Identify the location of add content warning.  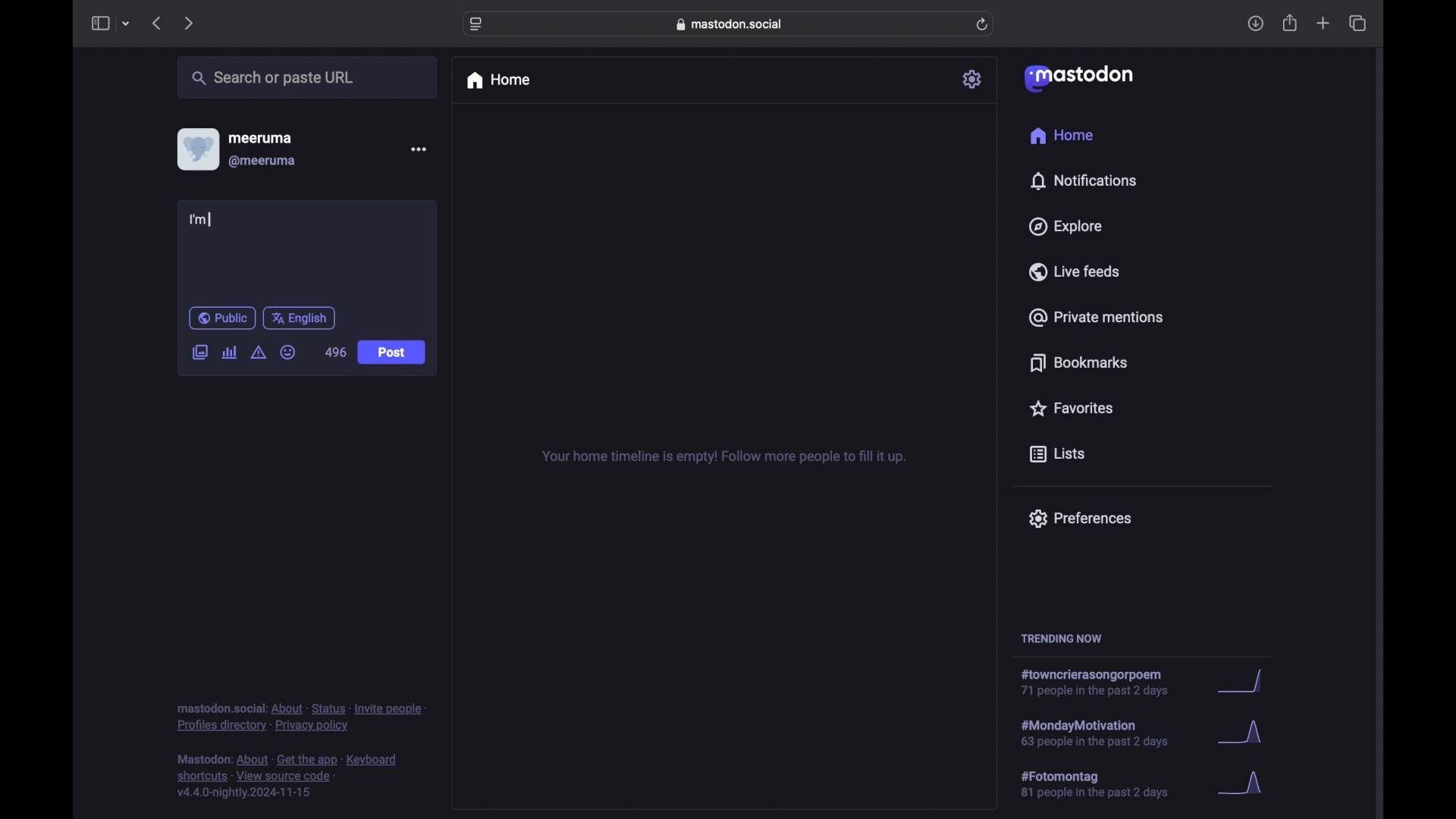
(260, 353).